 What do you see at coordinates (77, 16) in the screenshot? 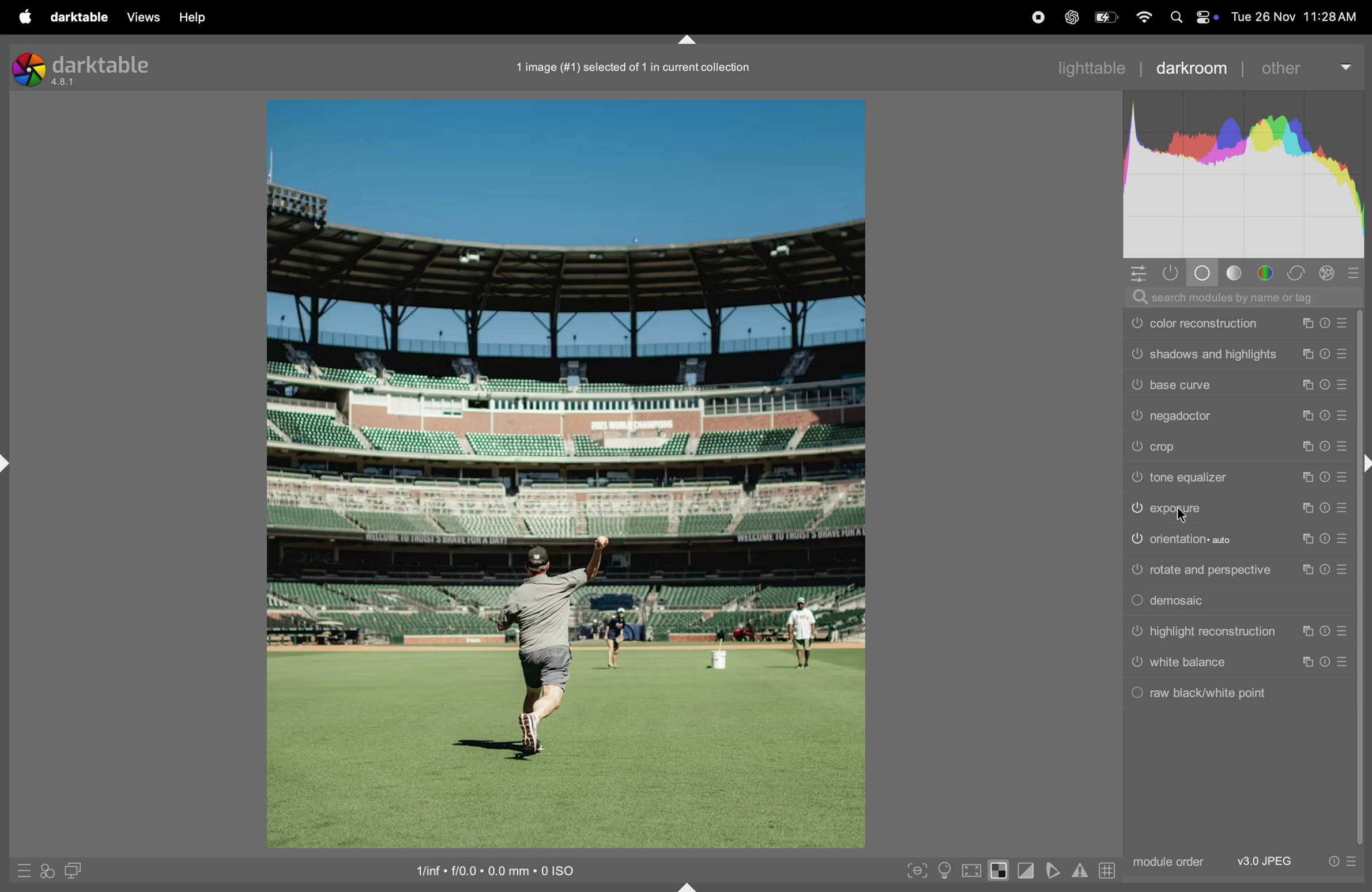
I see `dark table` at bounding box center [77, 16].